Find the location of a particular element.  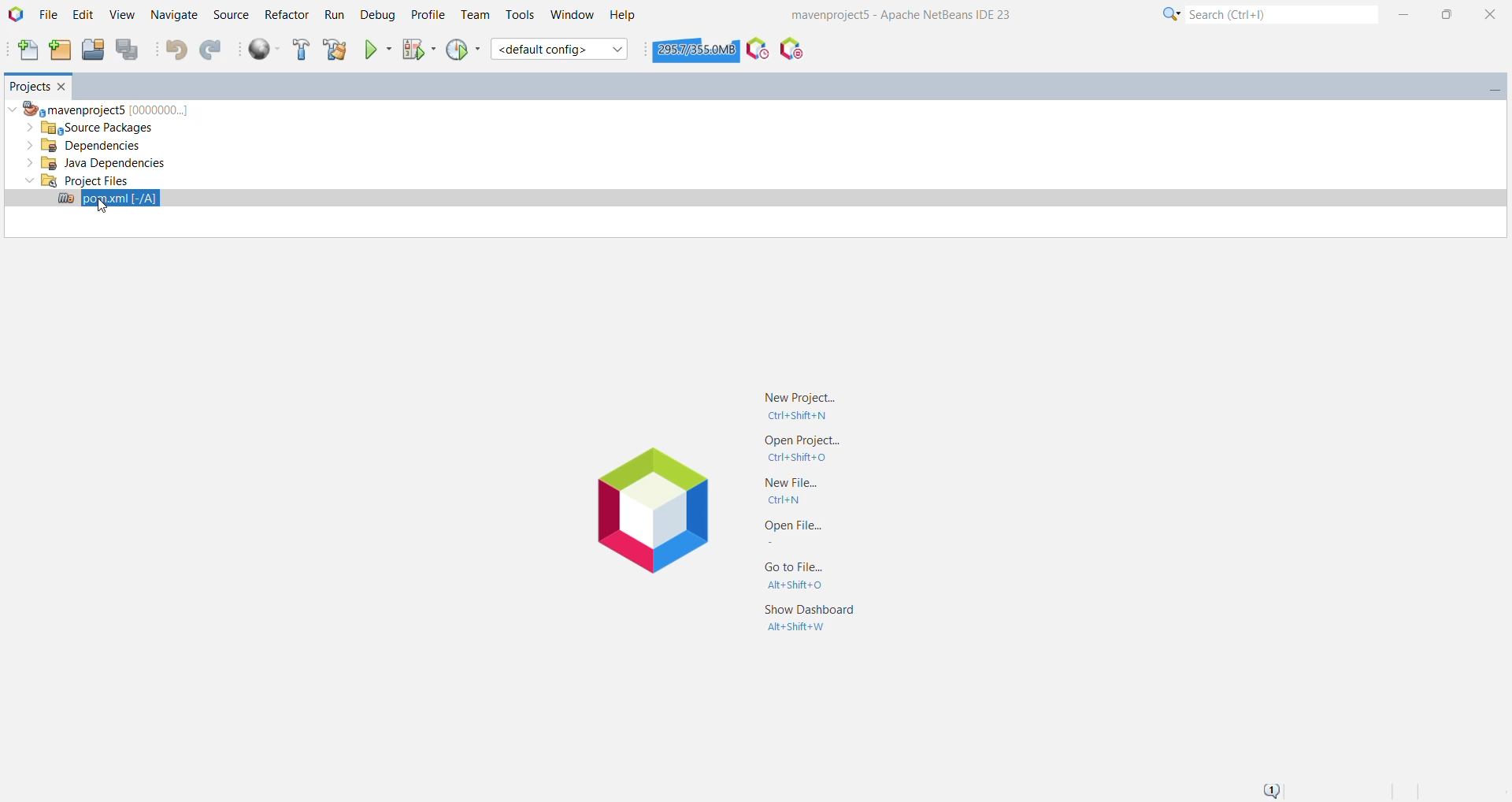

Show Dashboard is located at coordinates (808, 620).